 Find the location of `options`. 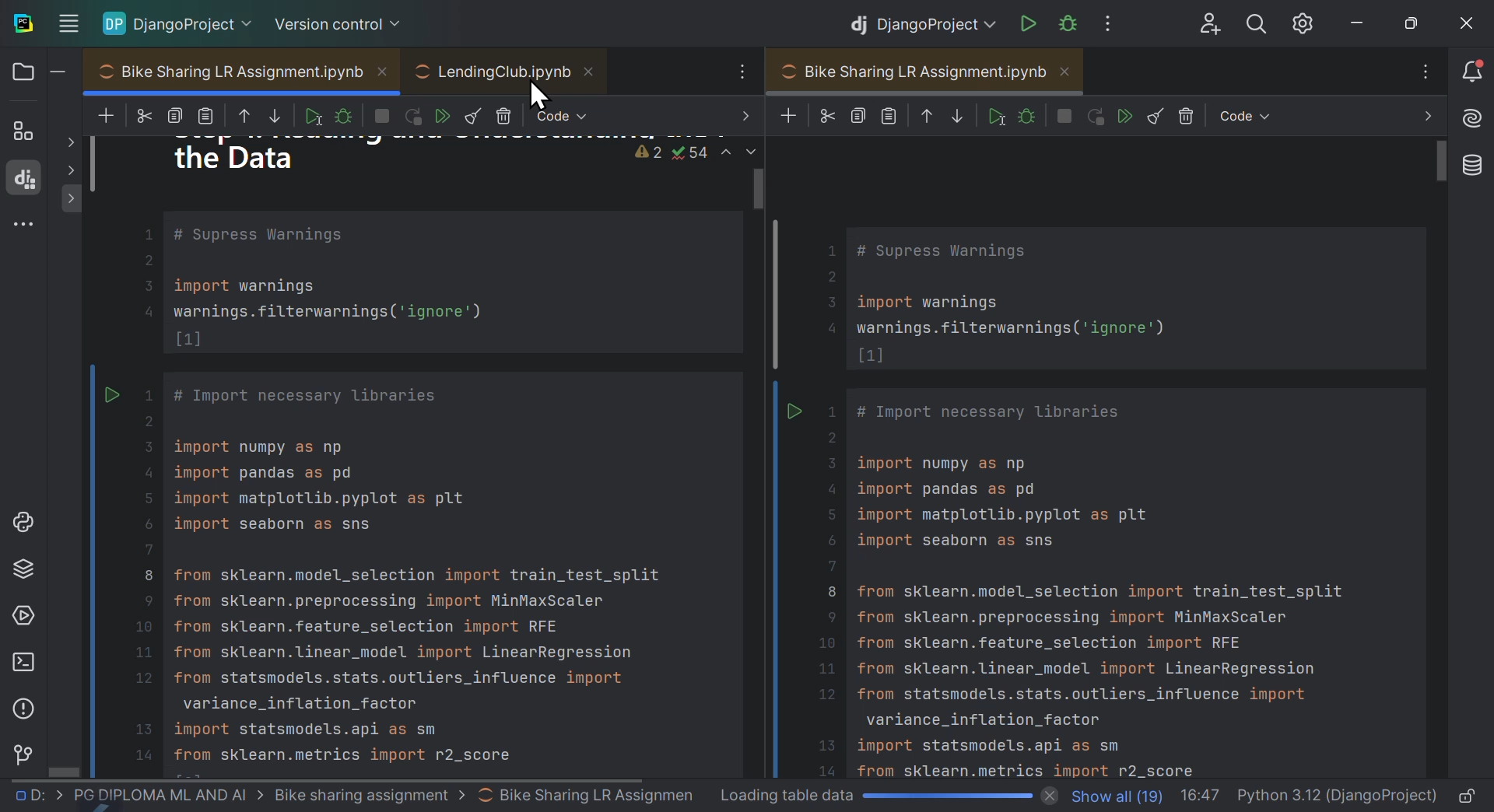

options is located at coordinates (1421, 72).